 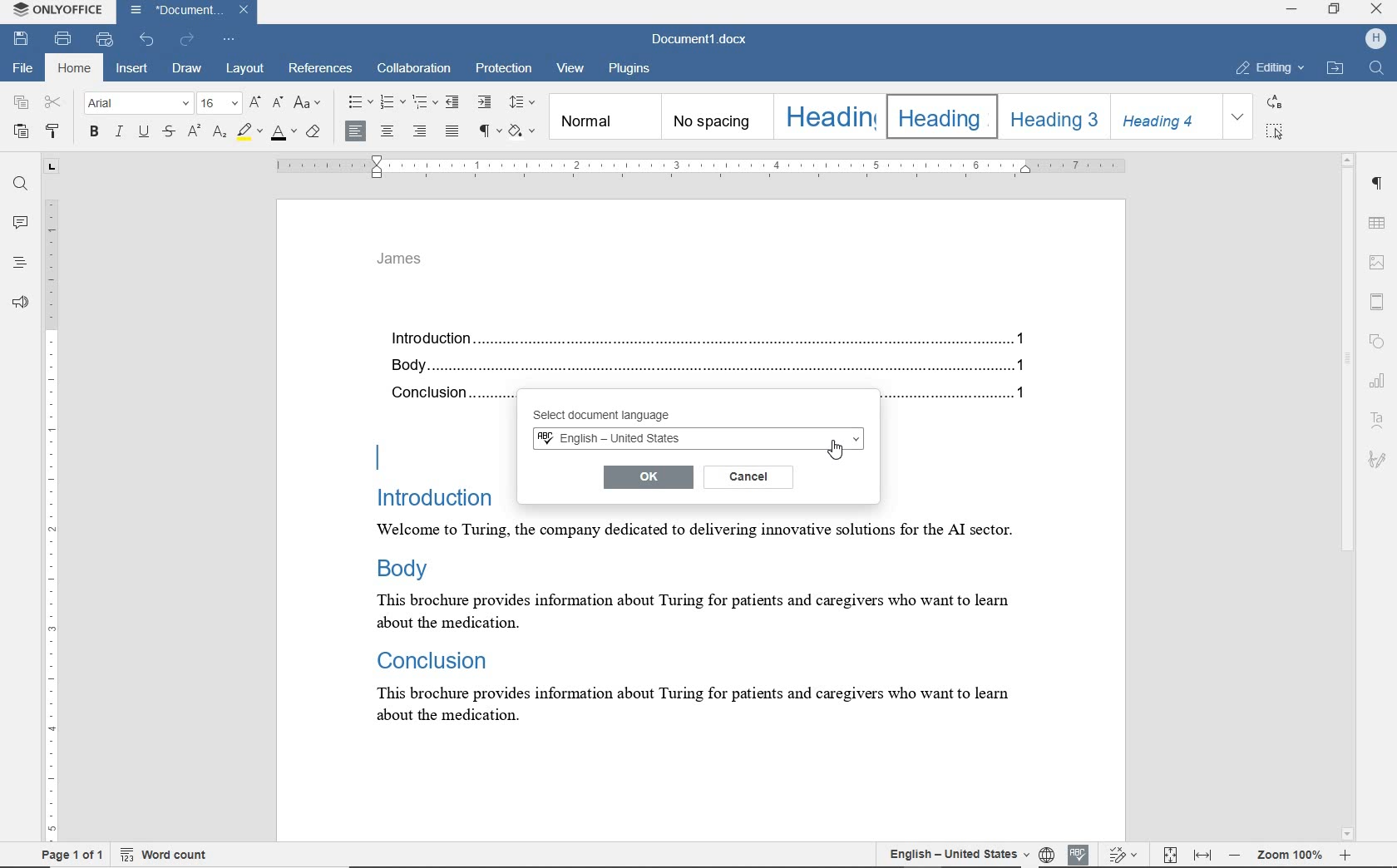 I want to click on paragraph line spacing, so click(x=522, y=102).